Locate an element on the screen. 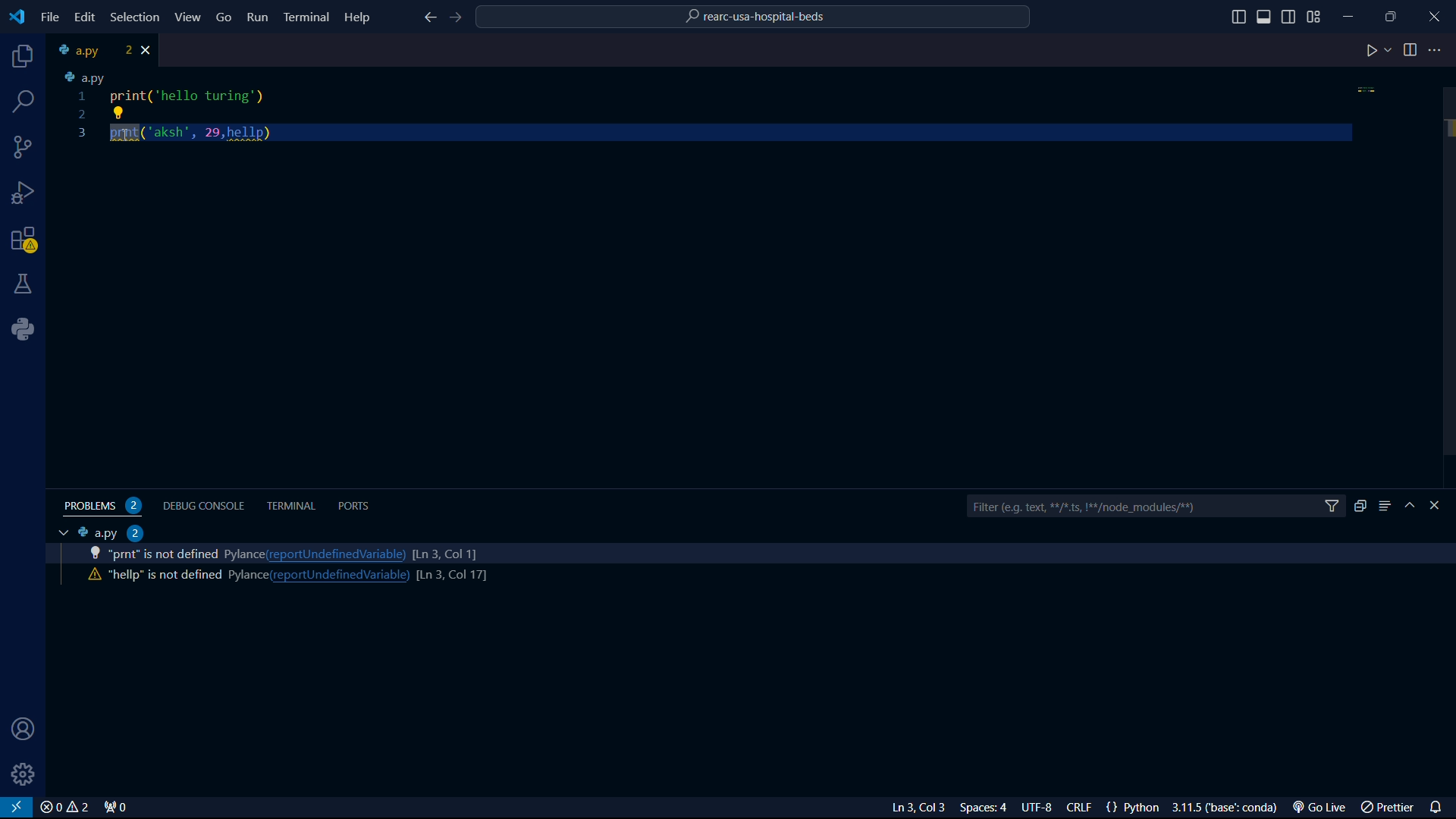 This screenshot has width=1456, height=819. {} Python is located at coordinates (1135, 808).